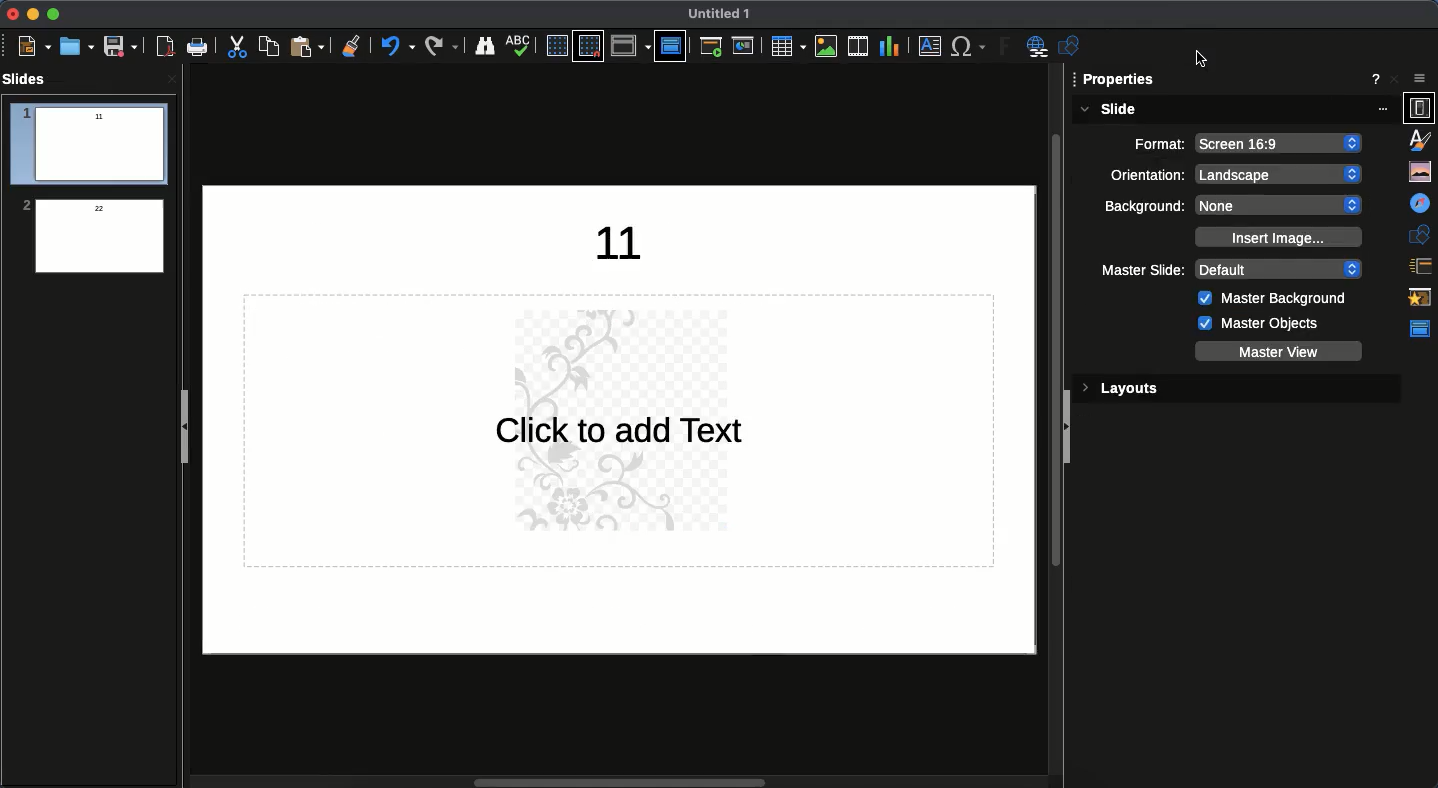 This screenshot has width=1438, height=788. I want to click on Water mark added, so click(615, 420).